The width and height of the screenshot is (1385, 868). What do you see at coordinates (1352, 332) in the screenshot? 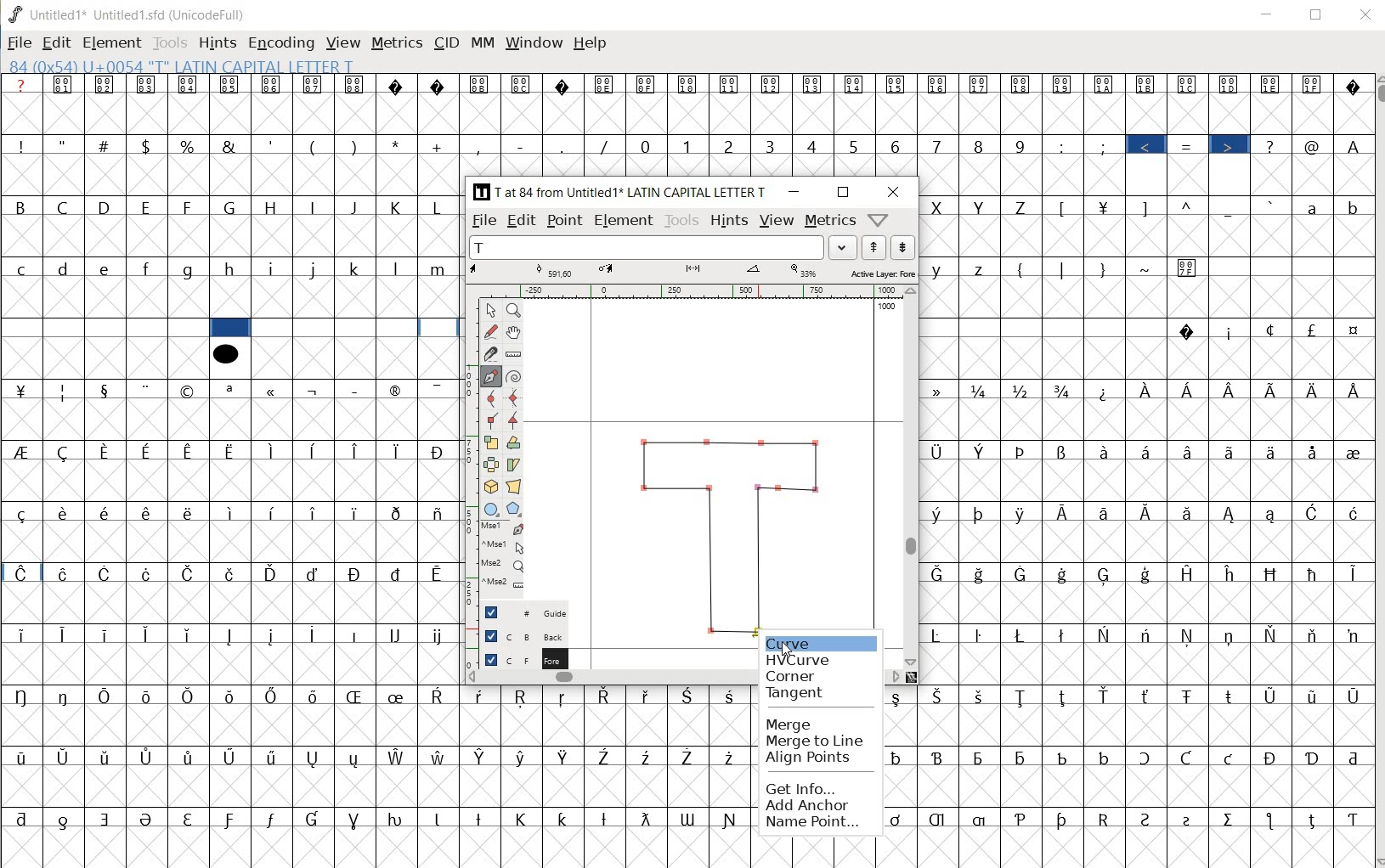
I see `Symbol` at bounding box center [1352, 332].